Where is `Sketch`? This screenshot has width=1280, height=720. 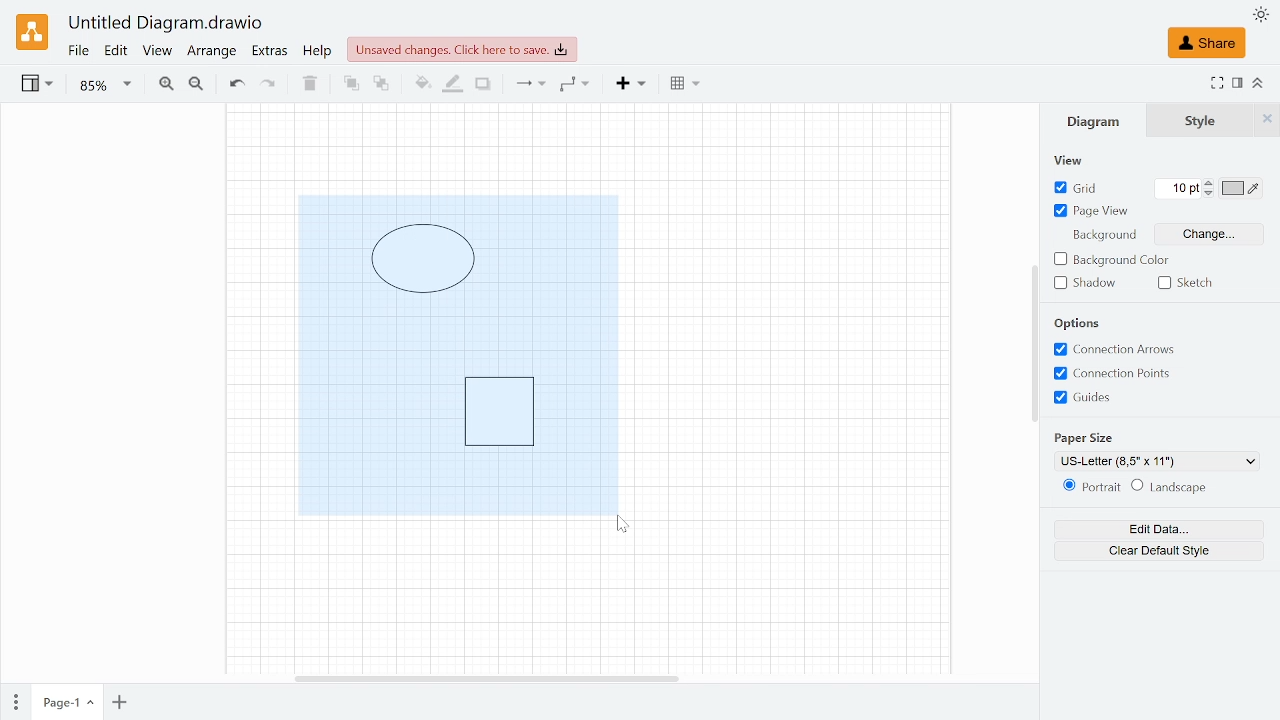
Sketch is located at coordinates (1193, 282).